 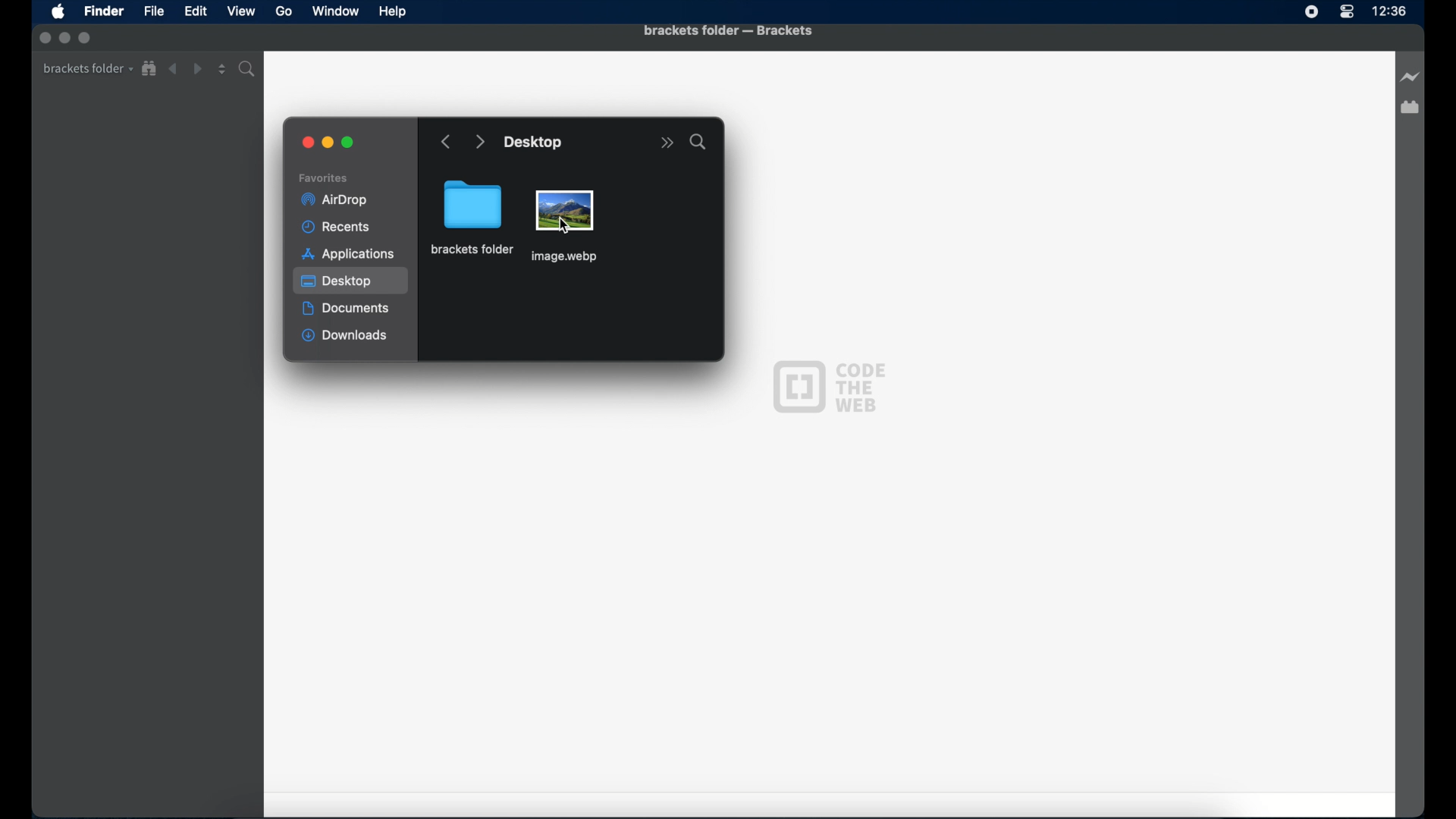 I want to click on desktop, so click(x=352, y=281).